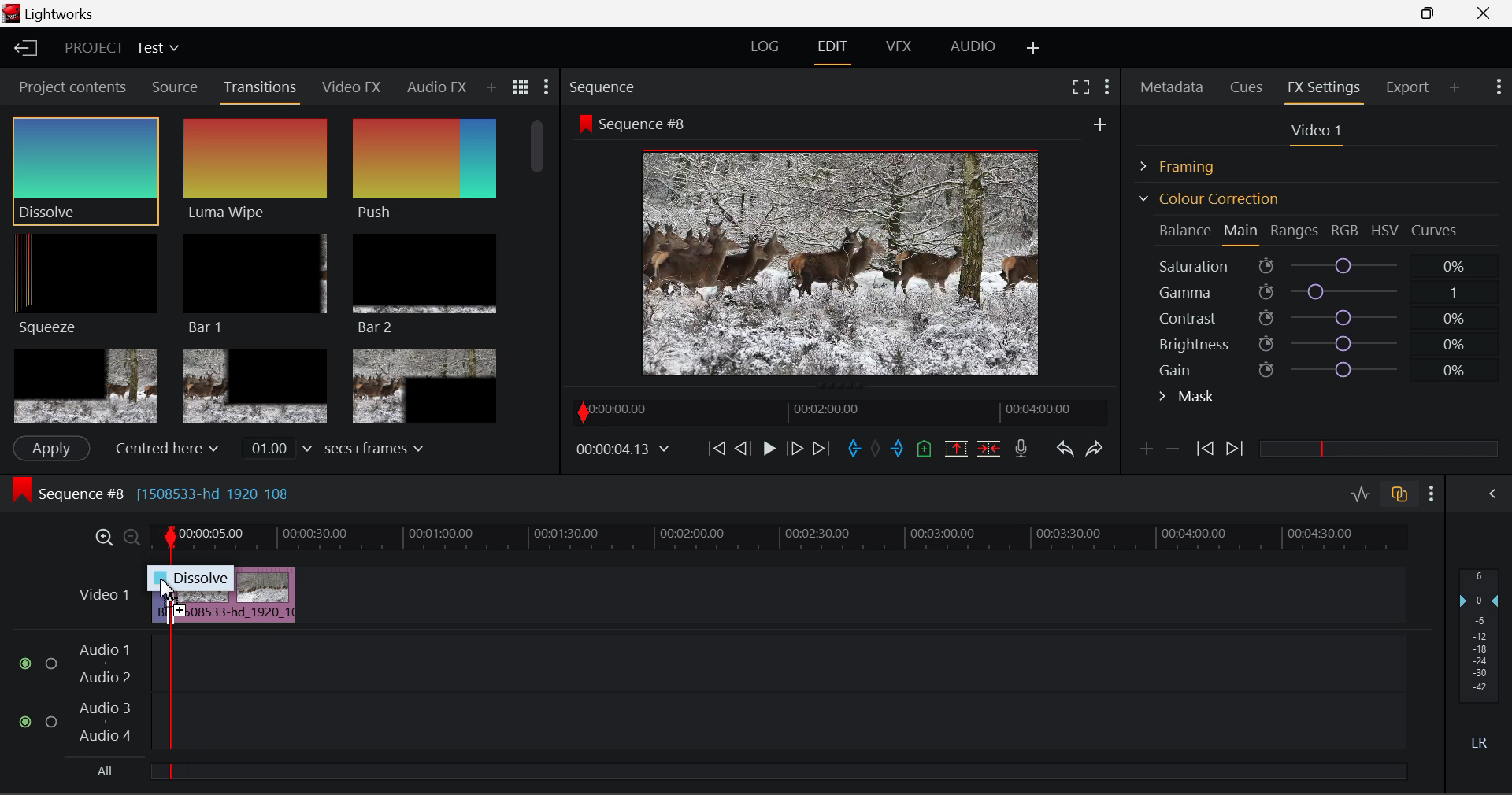 This screenshot has height=795, width=1512. I want to click on Ranges, so click(1295, 232).